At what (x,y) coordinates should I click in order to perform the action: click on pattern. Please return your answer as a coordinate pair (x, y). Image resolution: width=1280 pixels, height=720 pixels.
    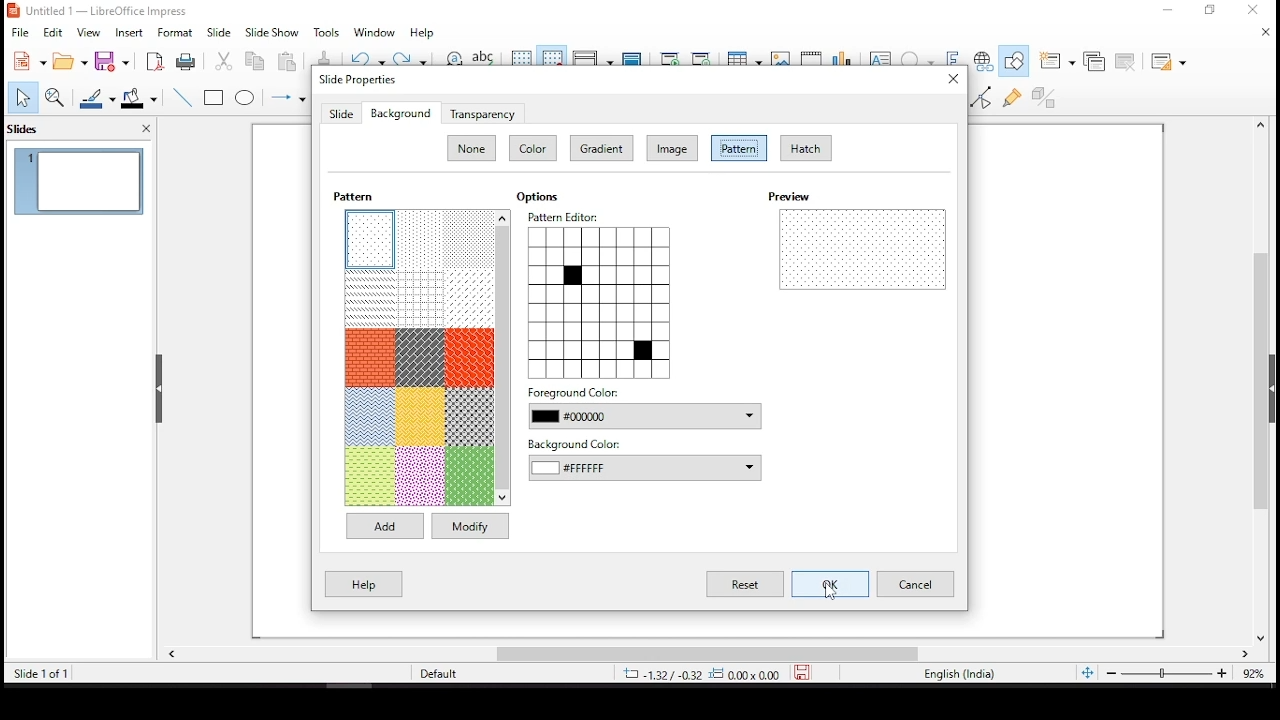
    Looking at the image, I should click on (739, 147).